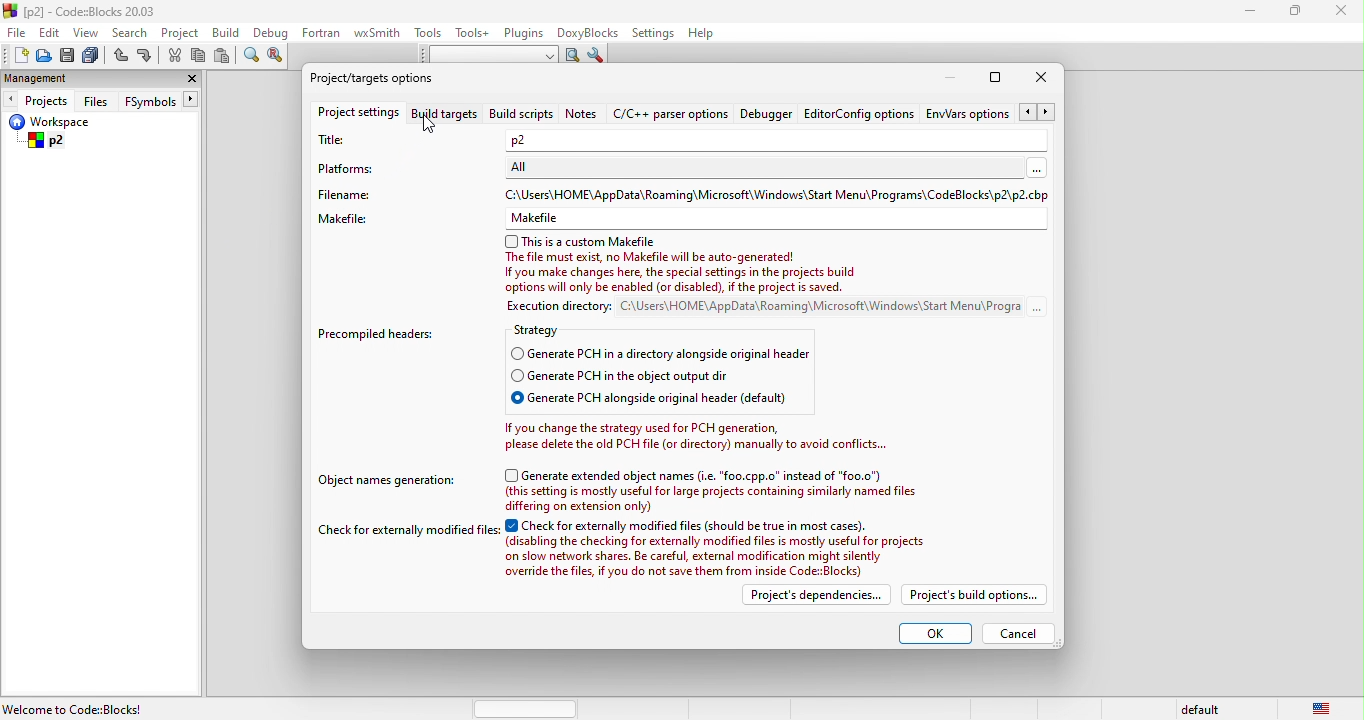 The width and height of the screenshot is (1364, 720). I want to click on maximize, so click(995, 77).